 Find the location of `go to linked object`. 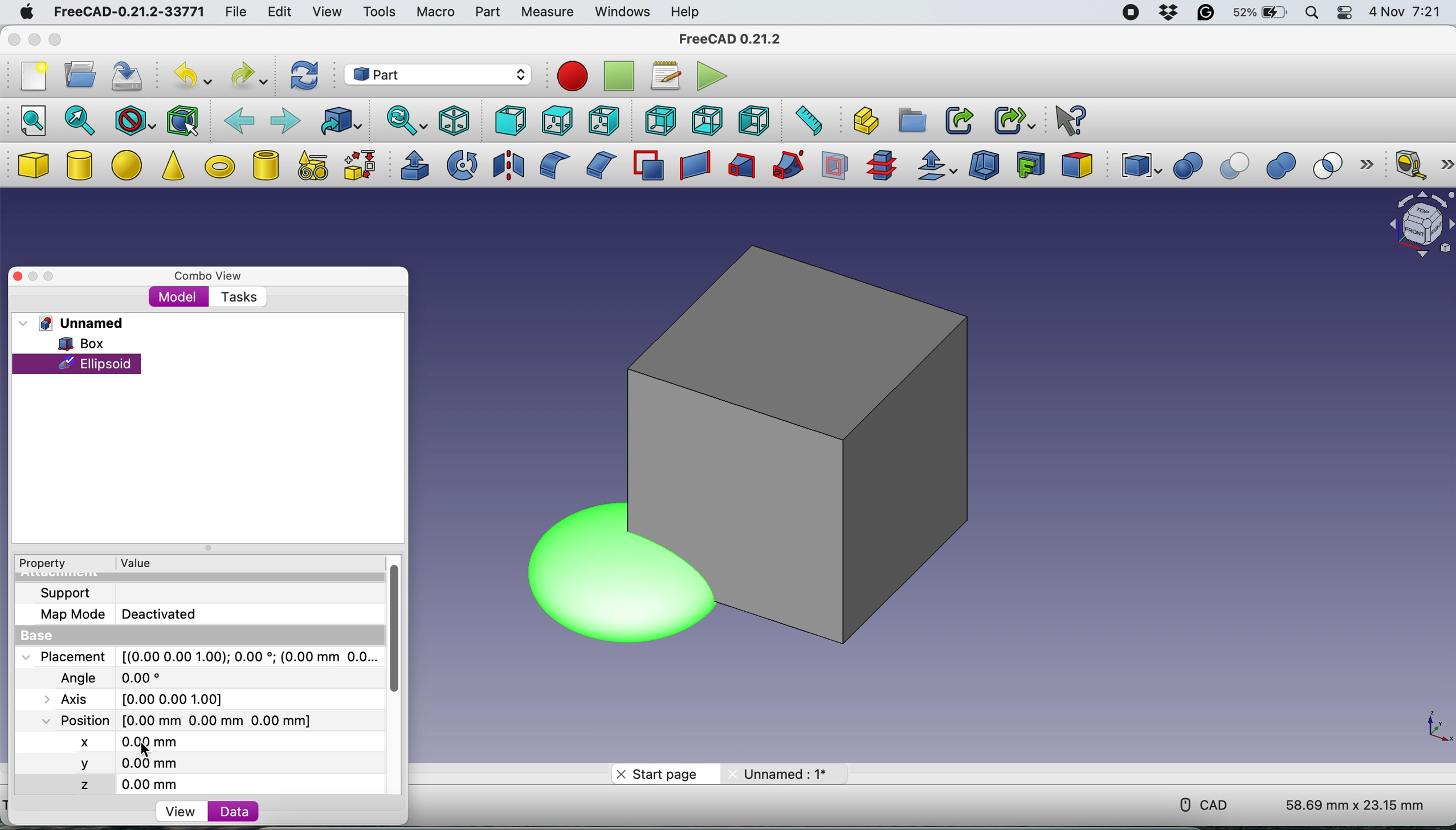

go to linked object is located at coordinates (340, 121).